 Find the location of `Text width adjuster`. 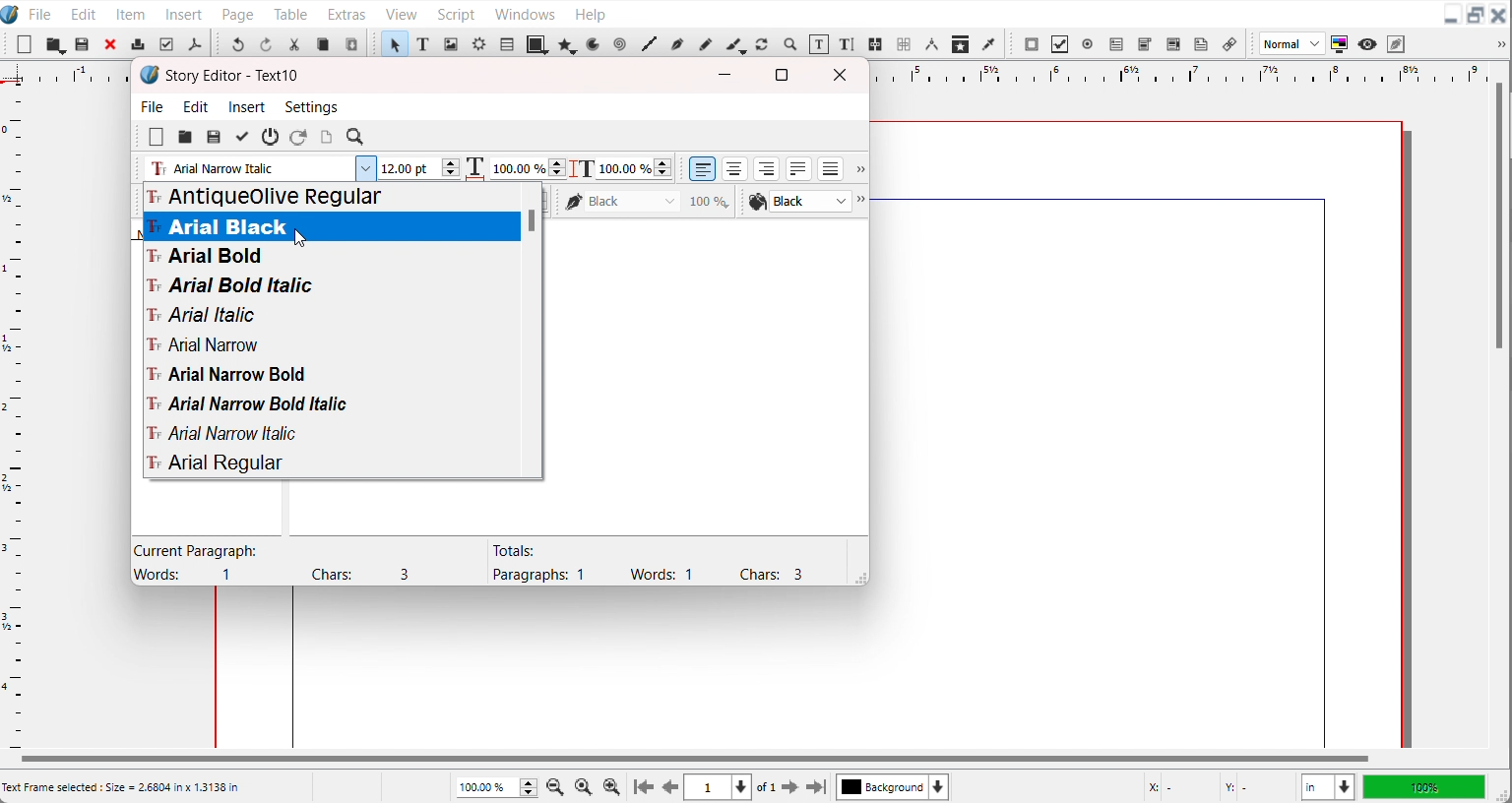

Text width adjuster is located at coordinates (528, 168).